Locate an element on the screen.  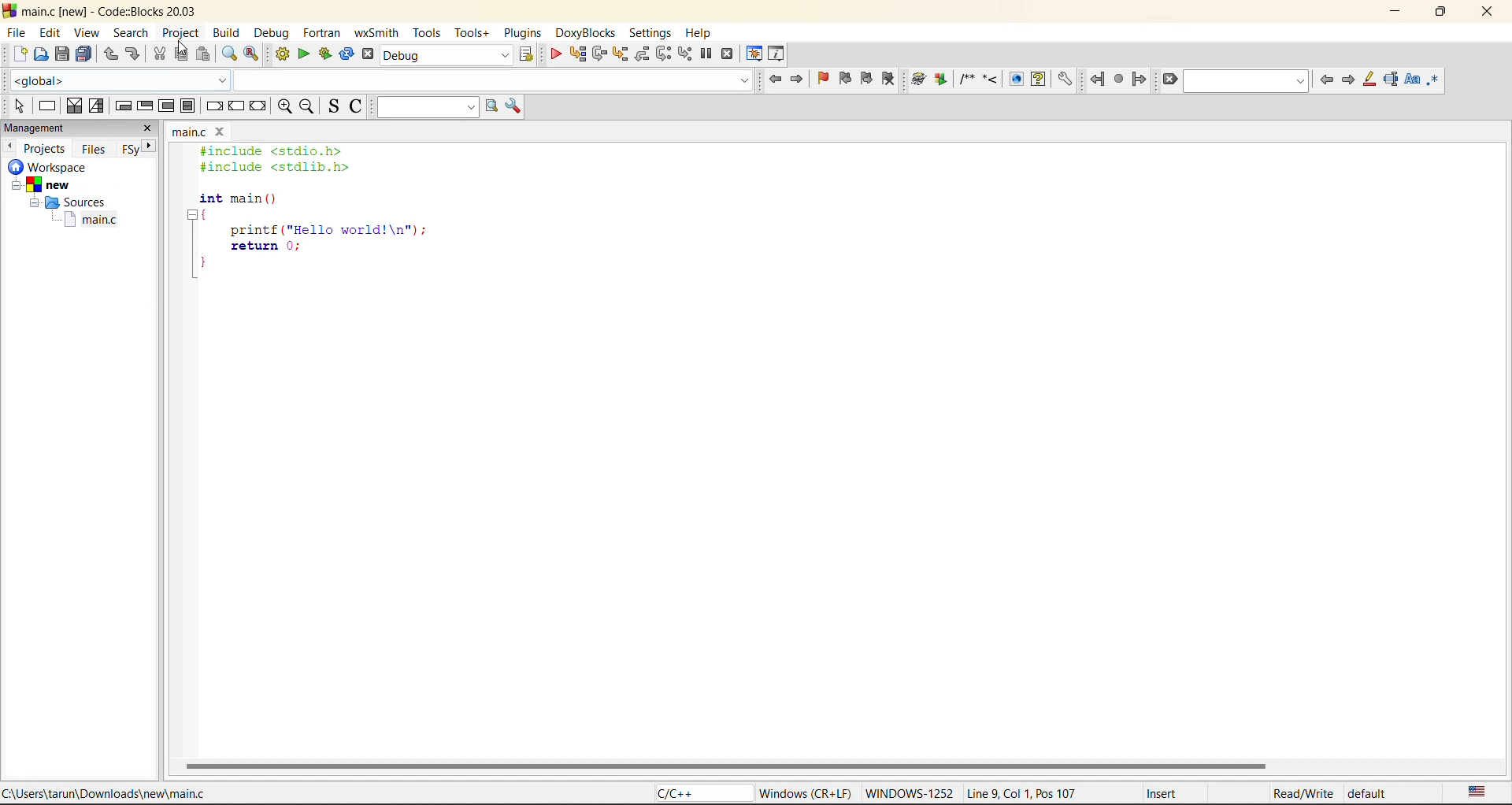
counting loop is located at coordinates (166, 107).